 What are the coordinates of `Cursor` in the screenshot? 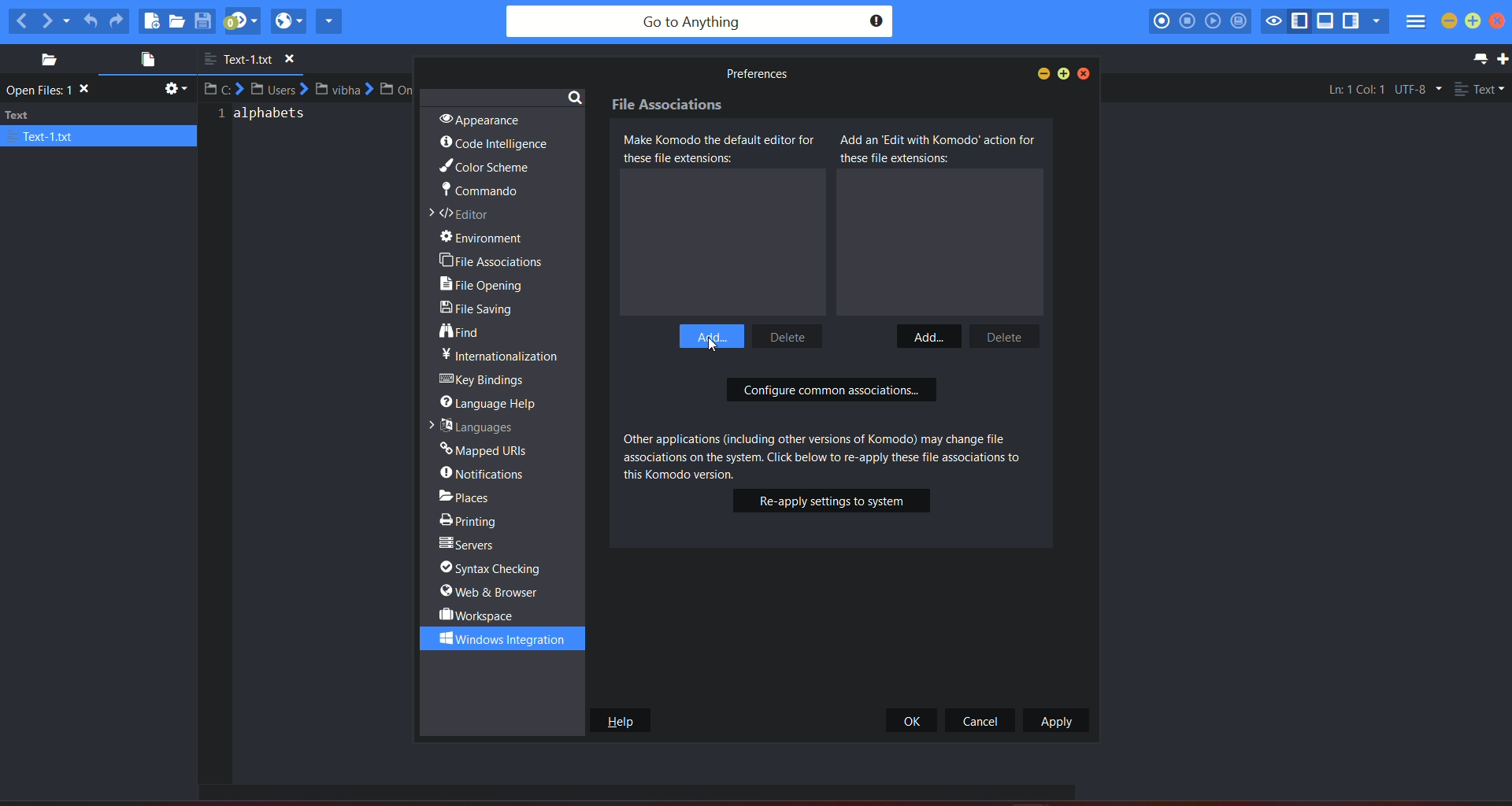 It's located at (714, 348).